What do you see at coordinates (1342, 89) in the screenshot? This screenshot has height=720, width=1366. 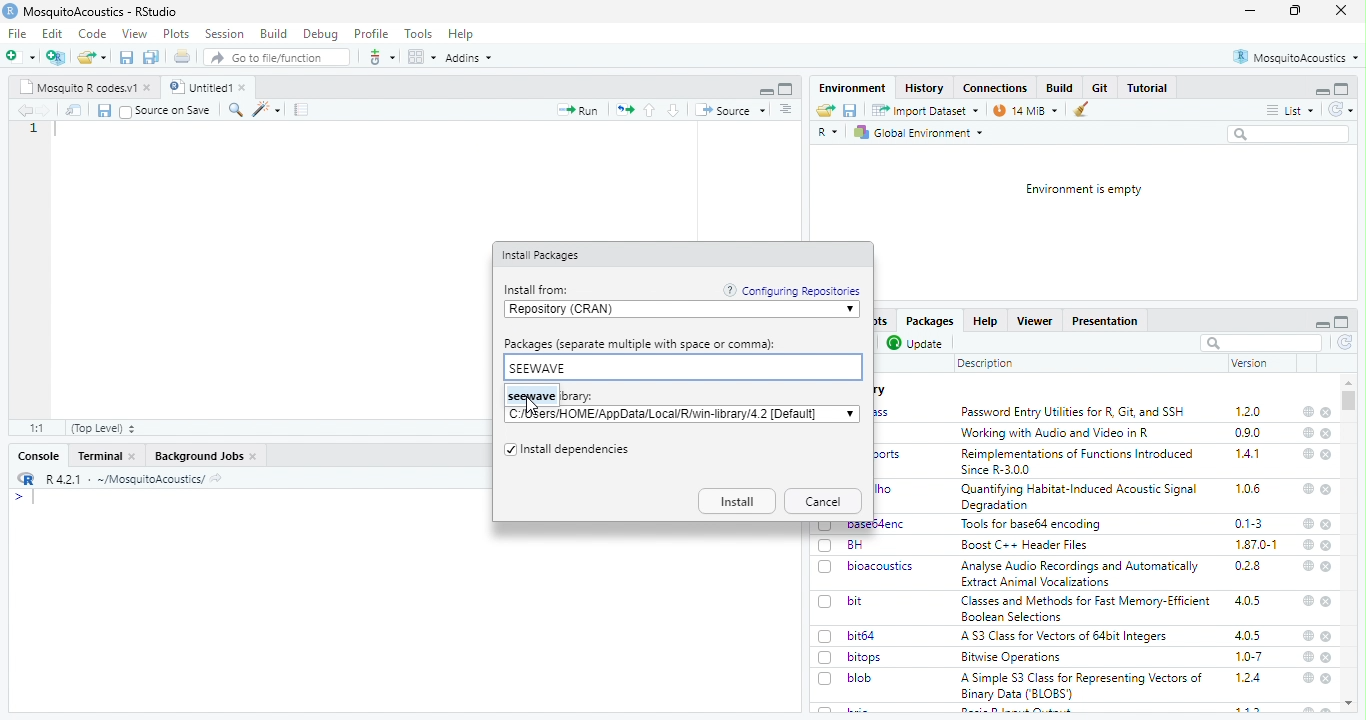 I see `maximise` at bounding box center [1342, 89].